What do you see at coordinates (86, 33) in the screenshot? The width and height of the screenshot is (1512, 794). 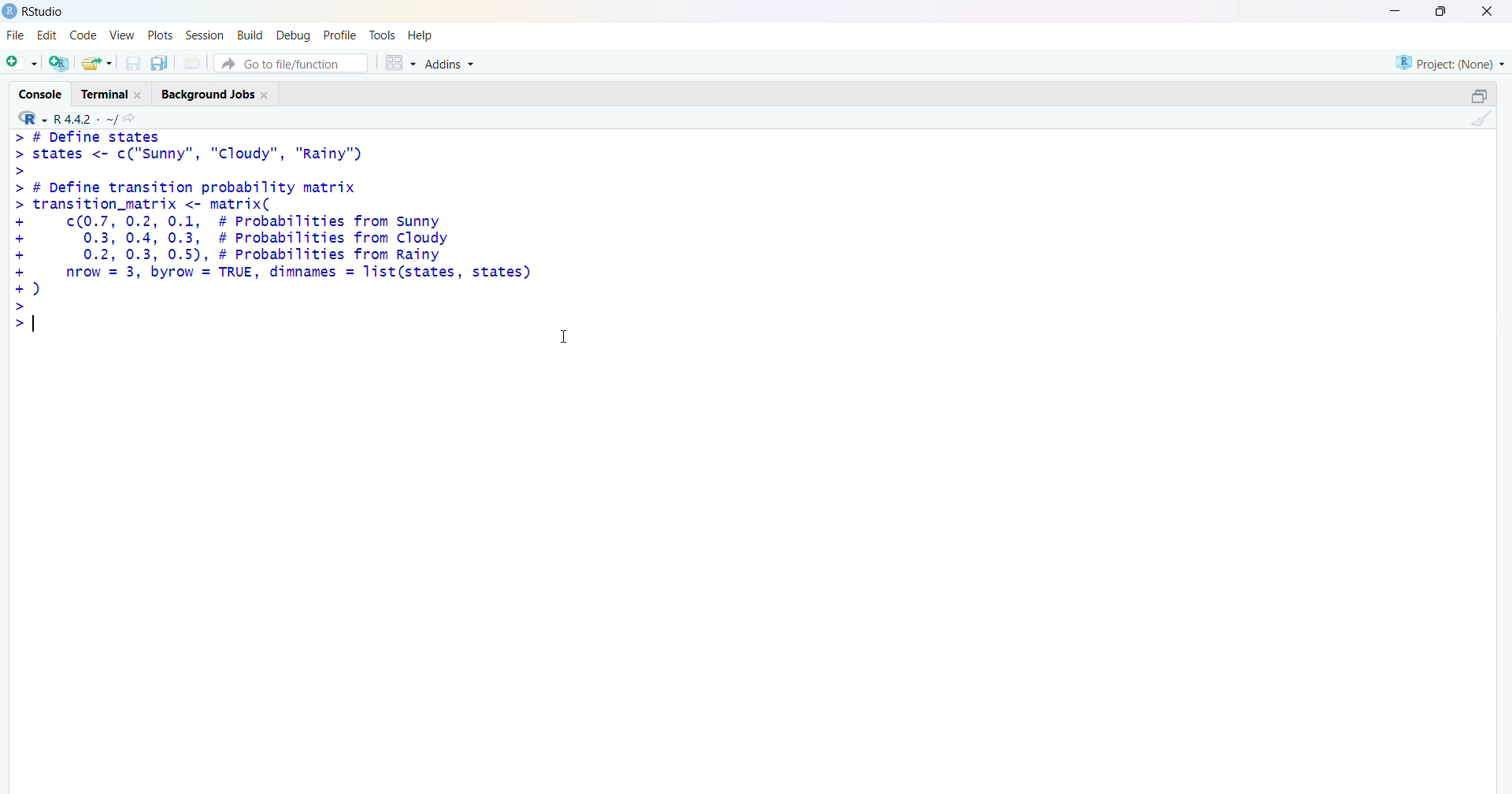 I see `code` at bounding box center [86, 33].